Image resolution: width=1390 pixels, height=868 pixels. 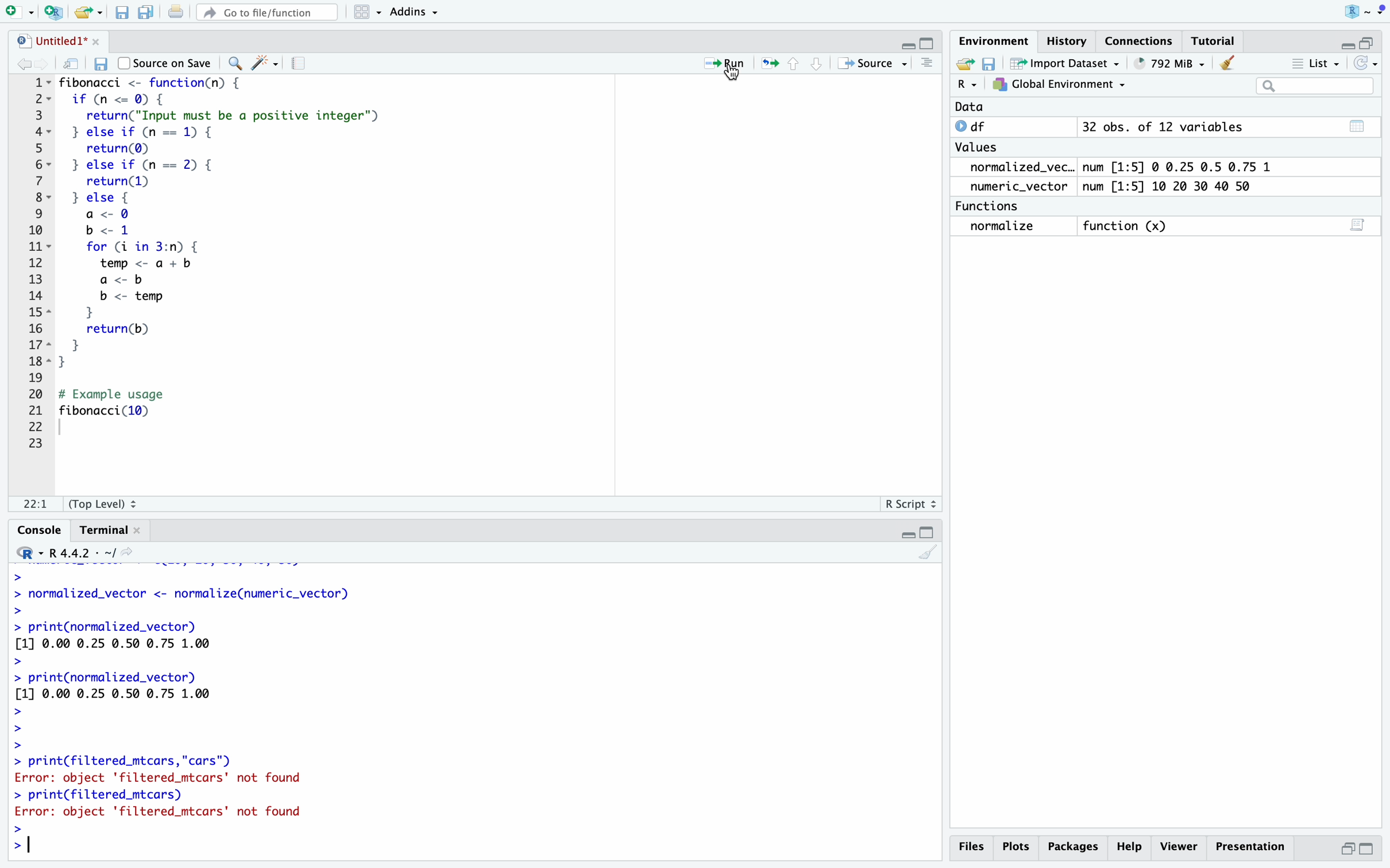 What do you see at coordinates (978, 106) in the screenshot?
I see `date` at bounding box center [978, 106].